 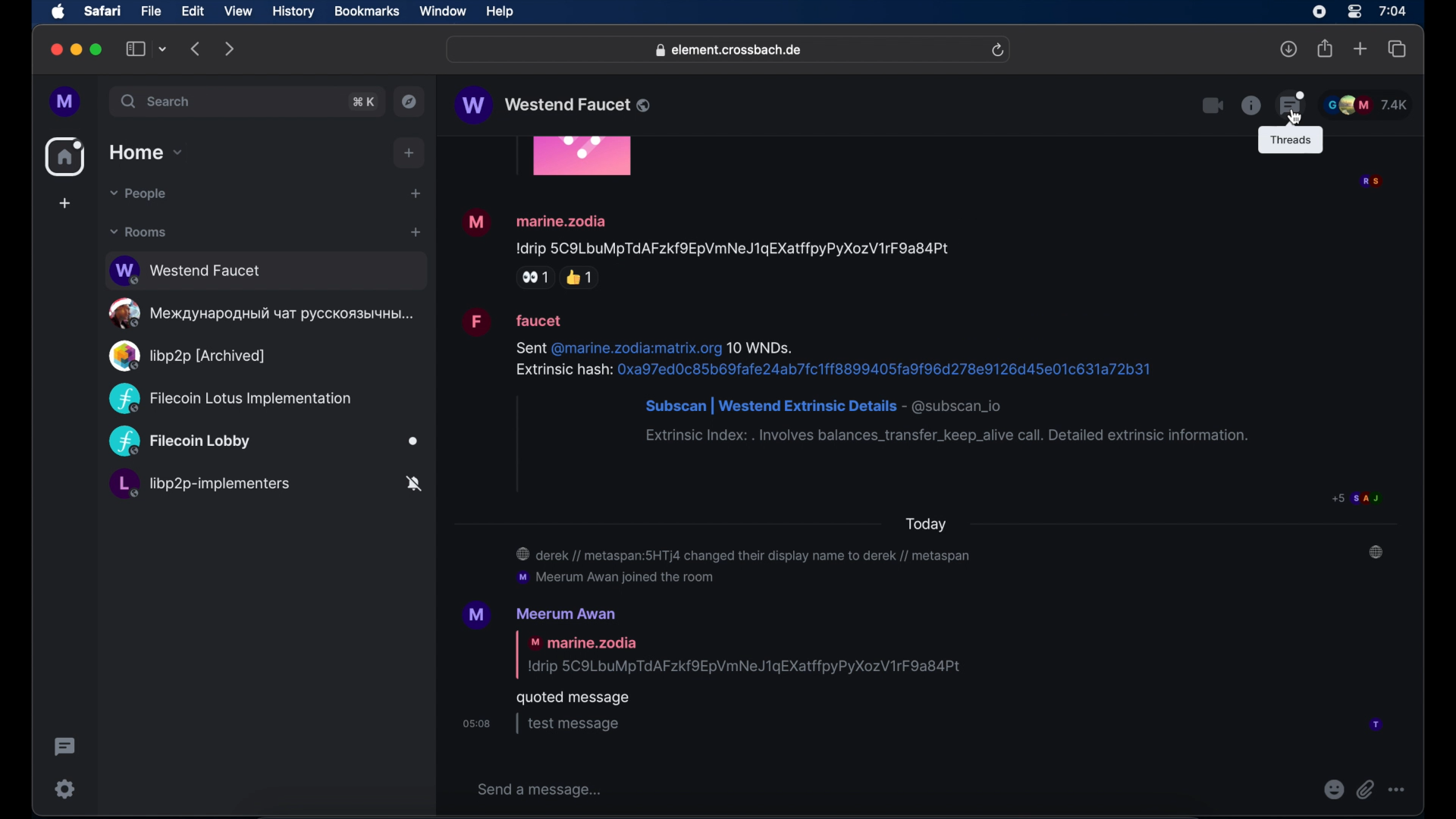 I want to click on participant, so click(x=1357, y=498).